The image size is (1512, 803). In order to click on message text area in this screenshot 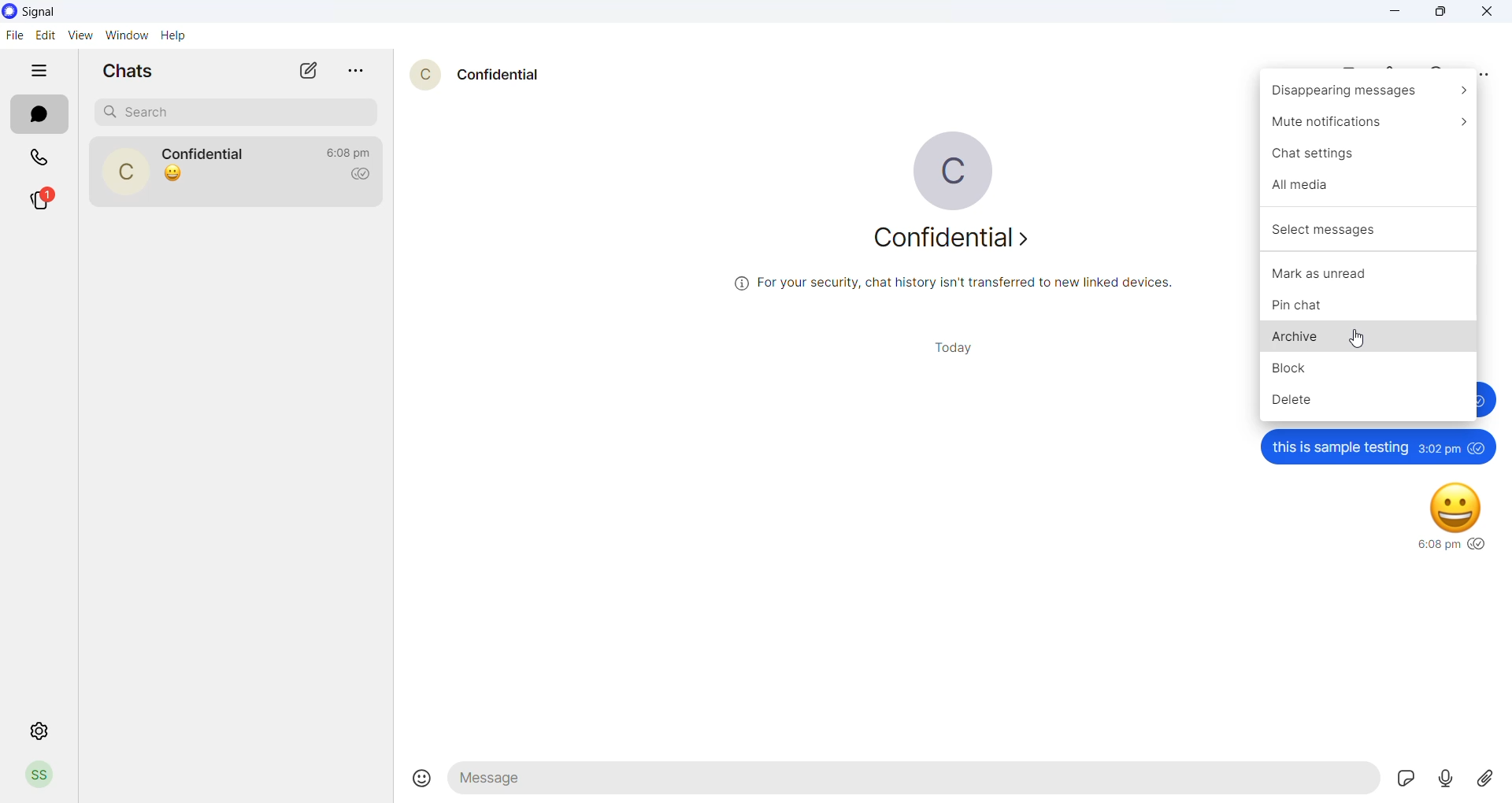, I will do `click(911, 783)`.